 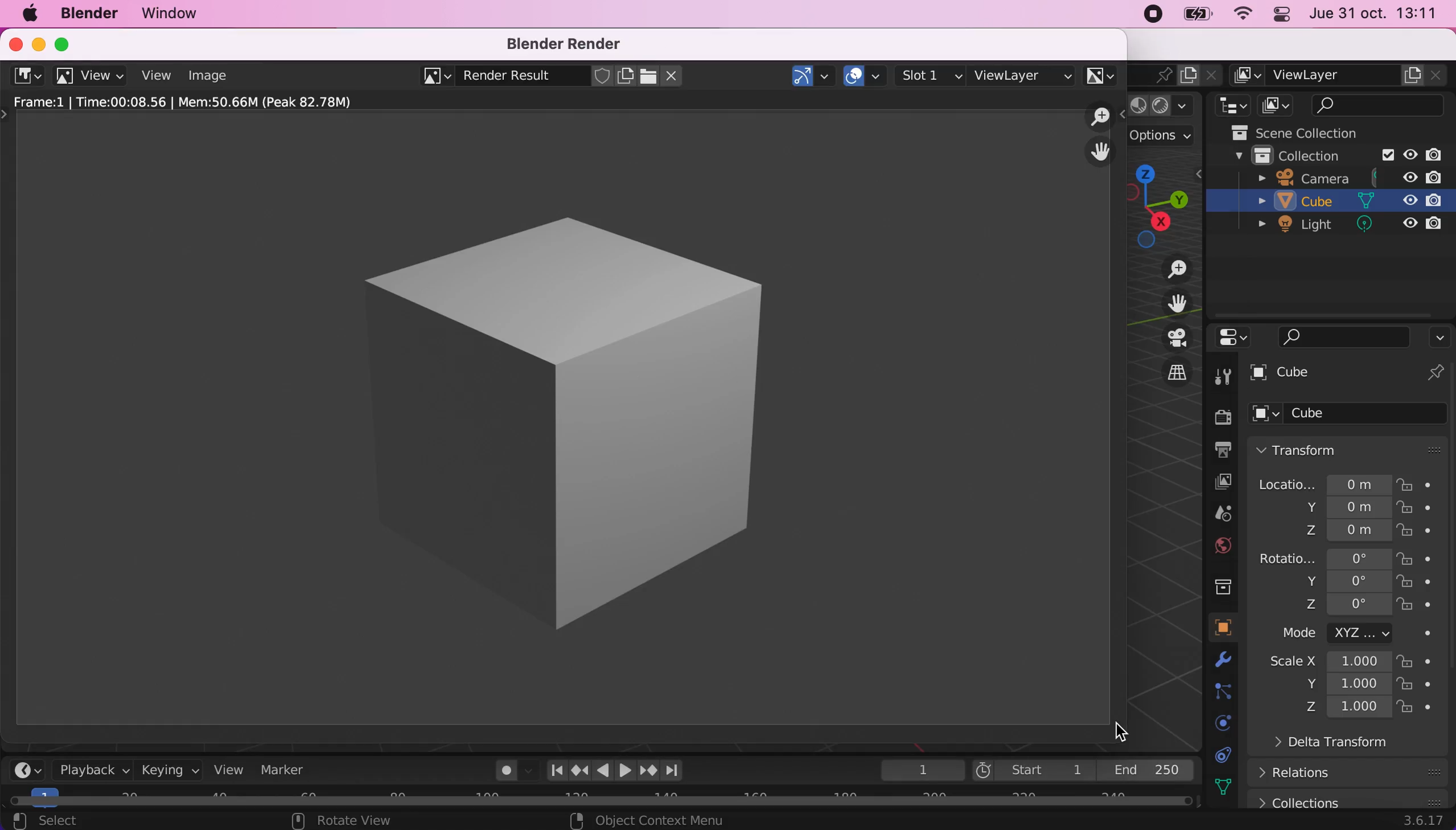 I want to click on 3.6.17, so click(x=1420, y=822).